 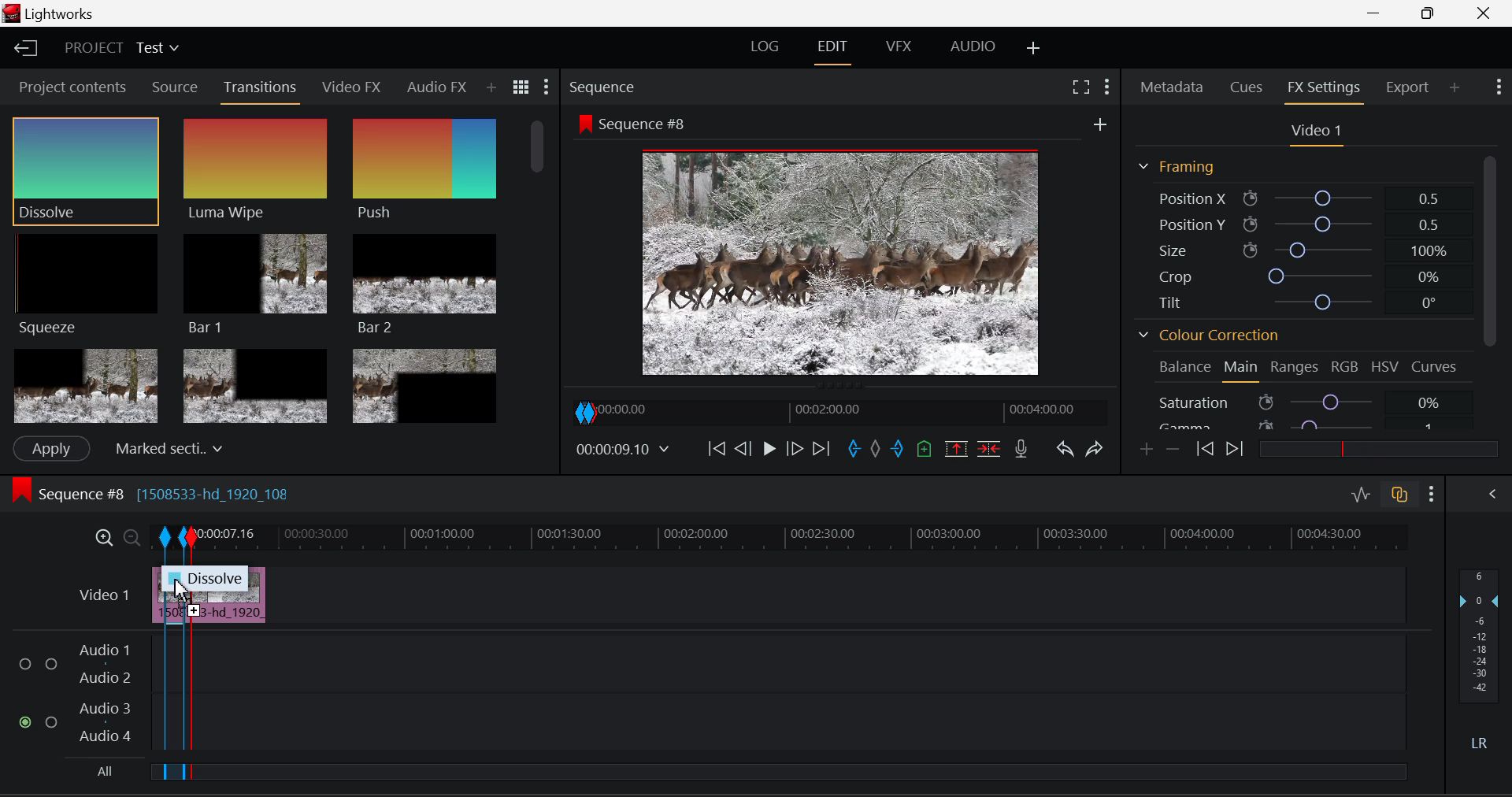 What do you see at coordinates (491, 88) in the screenshot?
I see `Add Panel` at bounding box center [491, 88].